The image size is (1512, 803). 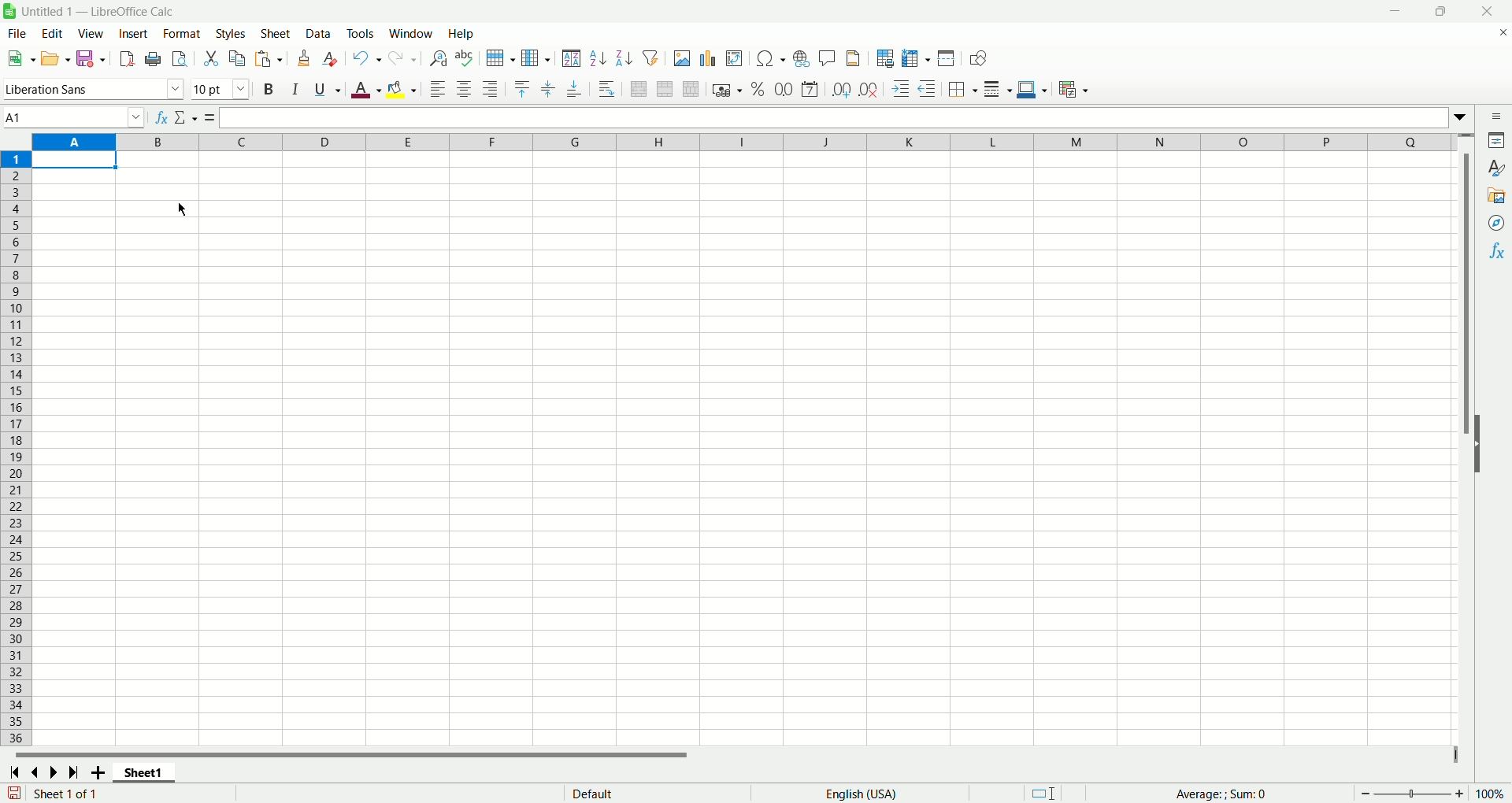 What do you see at coordinates (843, 90) in the screenshot?
I see `add decimal place` at bounding box center [843, 90].